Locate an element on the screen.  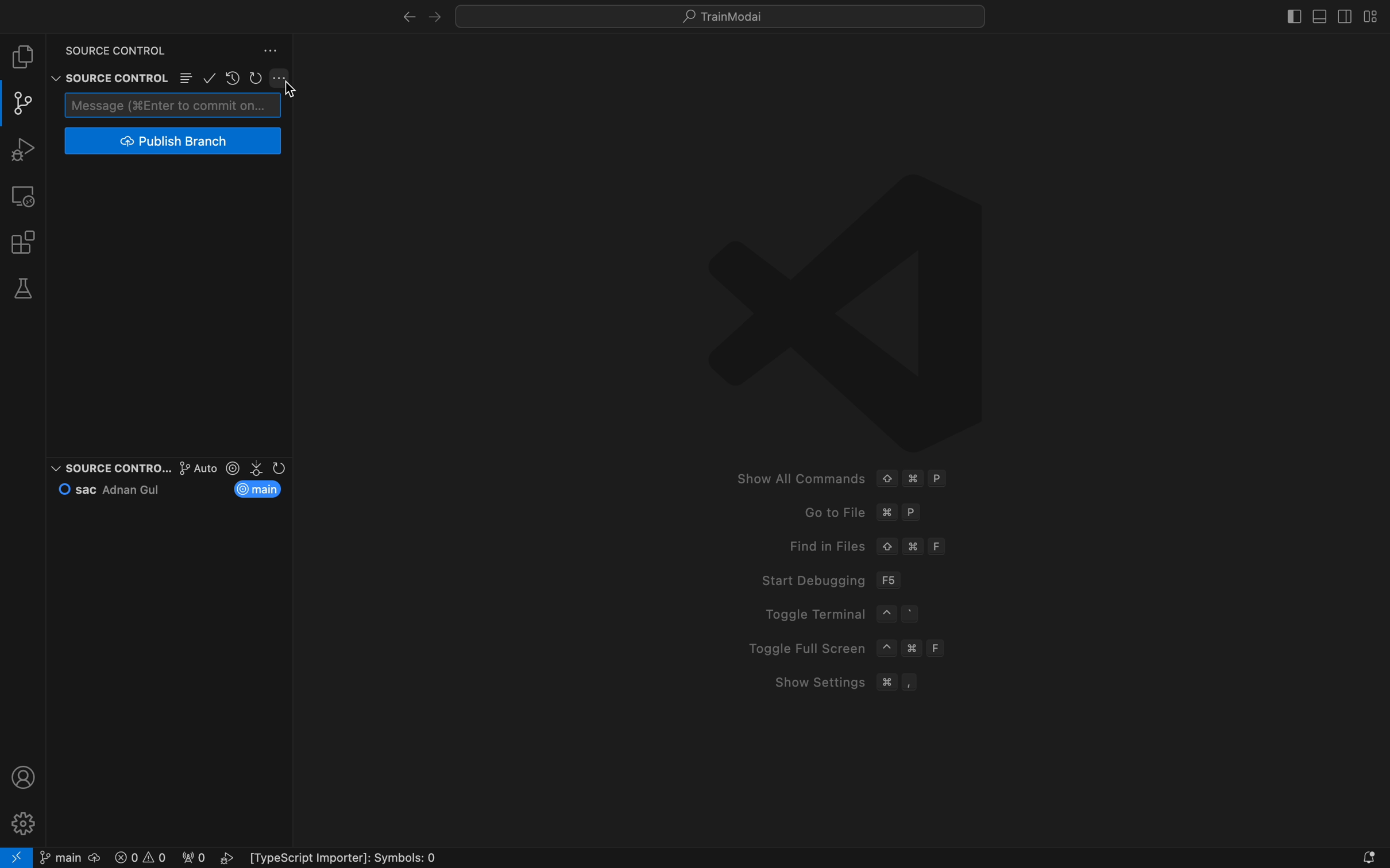
 is located at coordinates (271, 49).